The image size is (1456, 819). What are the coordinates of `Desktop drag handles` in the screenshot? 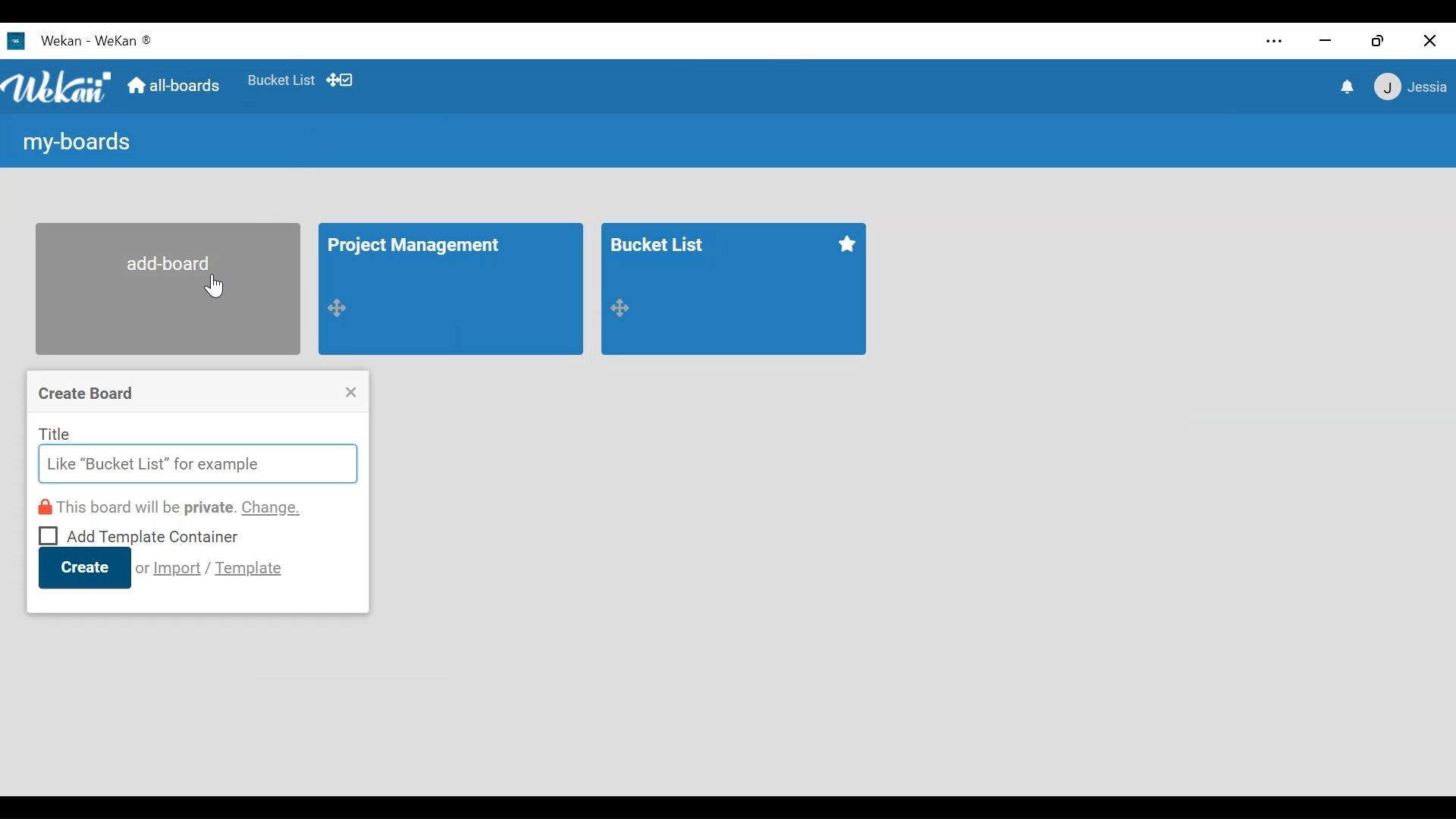 It's located at (339, 80).